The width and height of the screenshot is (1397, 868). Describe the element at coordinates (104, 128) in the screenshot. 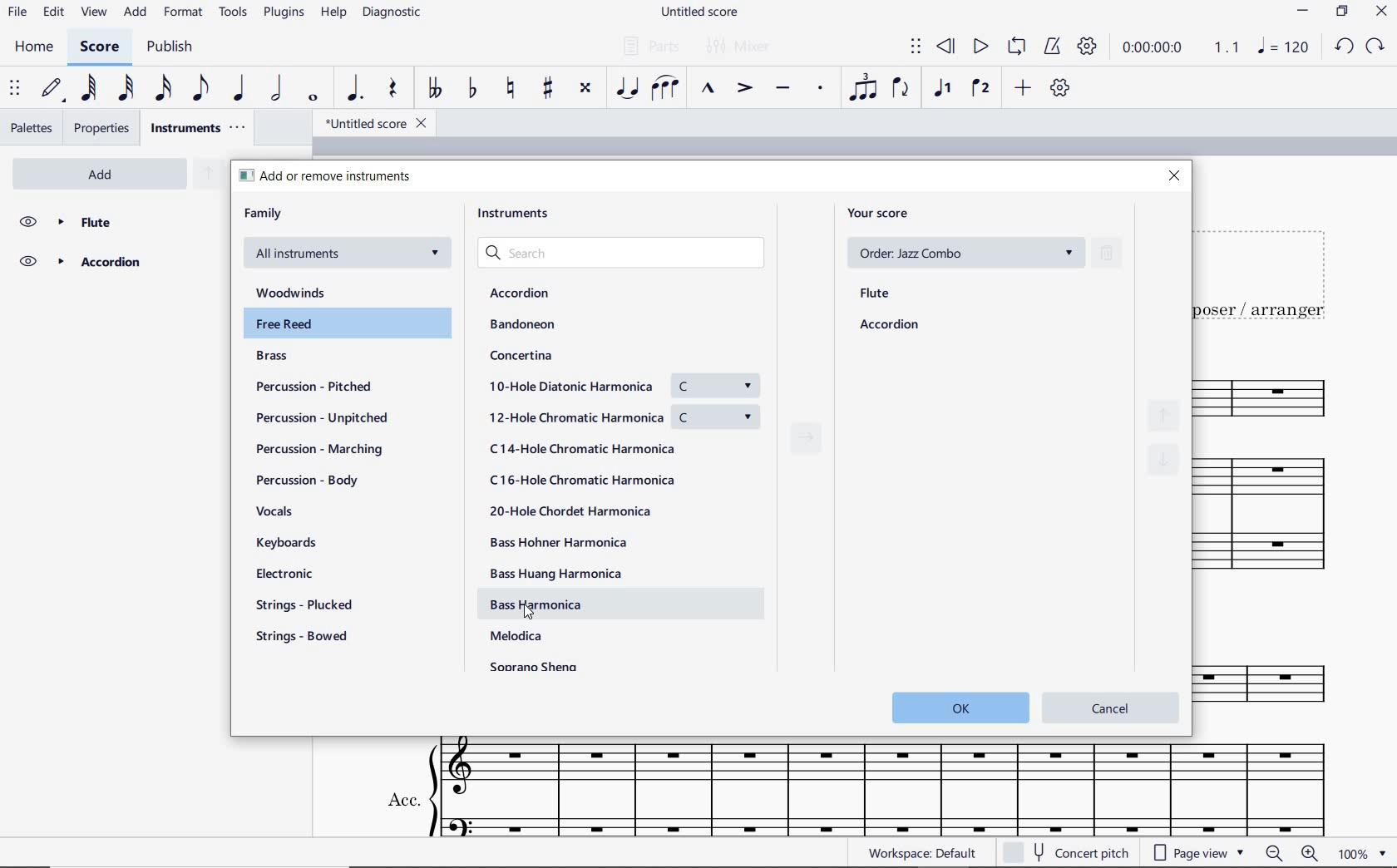

I see `properties` at that location.